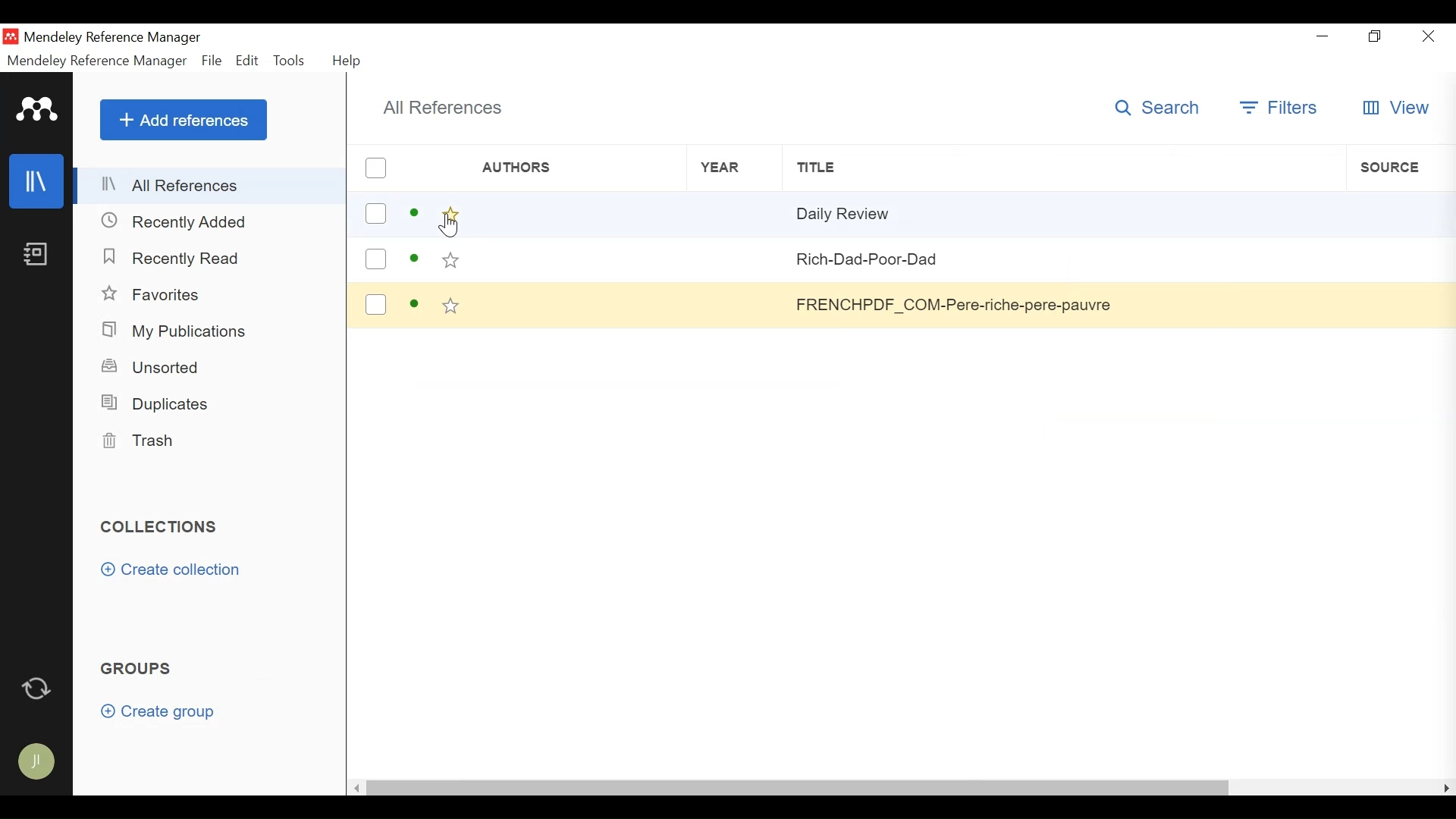 The width and height of the screenshot is (1456, 819). What do you see at coordinates (97, 61) in the screenshot?
I see `Mendeley Reference Manager` at bounding box center [97, 61].